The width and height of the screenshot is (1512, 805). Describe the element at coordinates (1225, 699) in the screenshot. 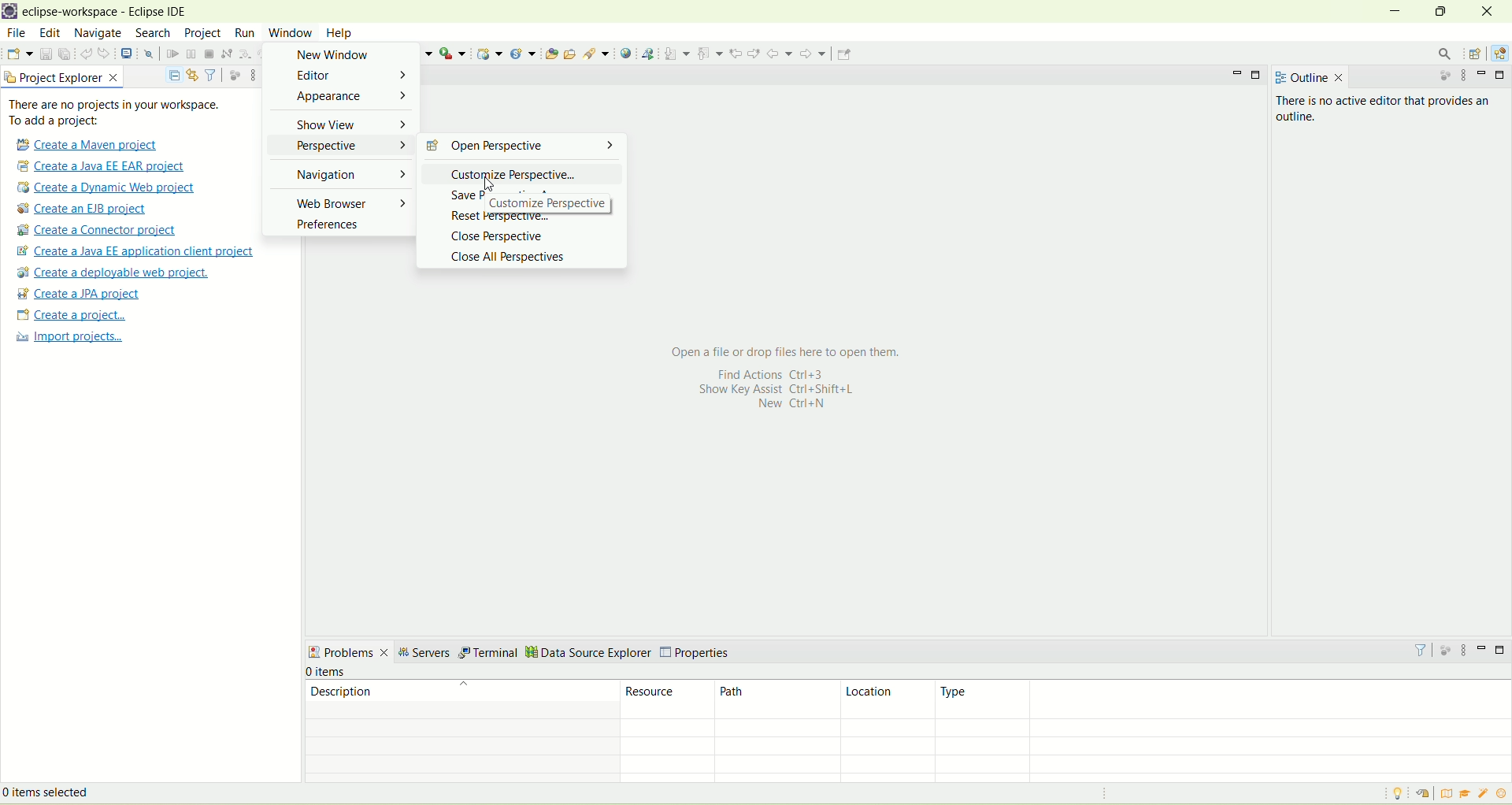

I see `type` at that location.